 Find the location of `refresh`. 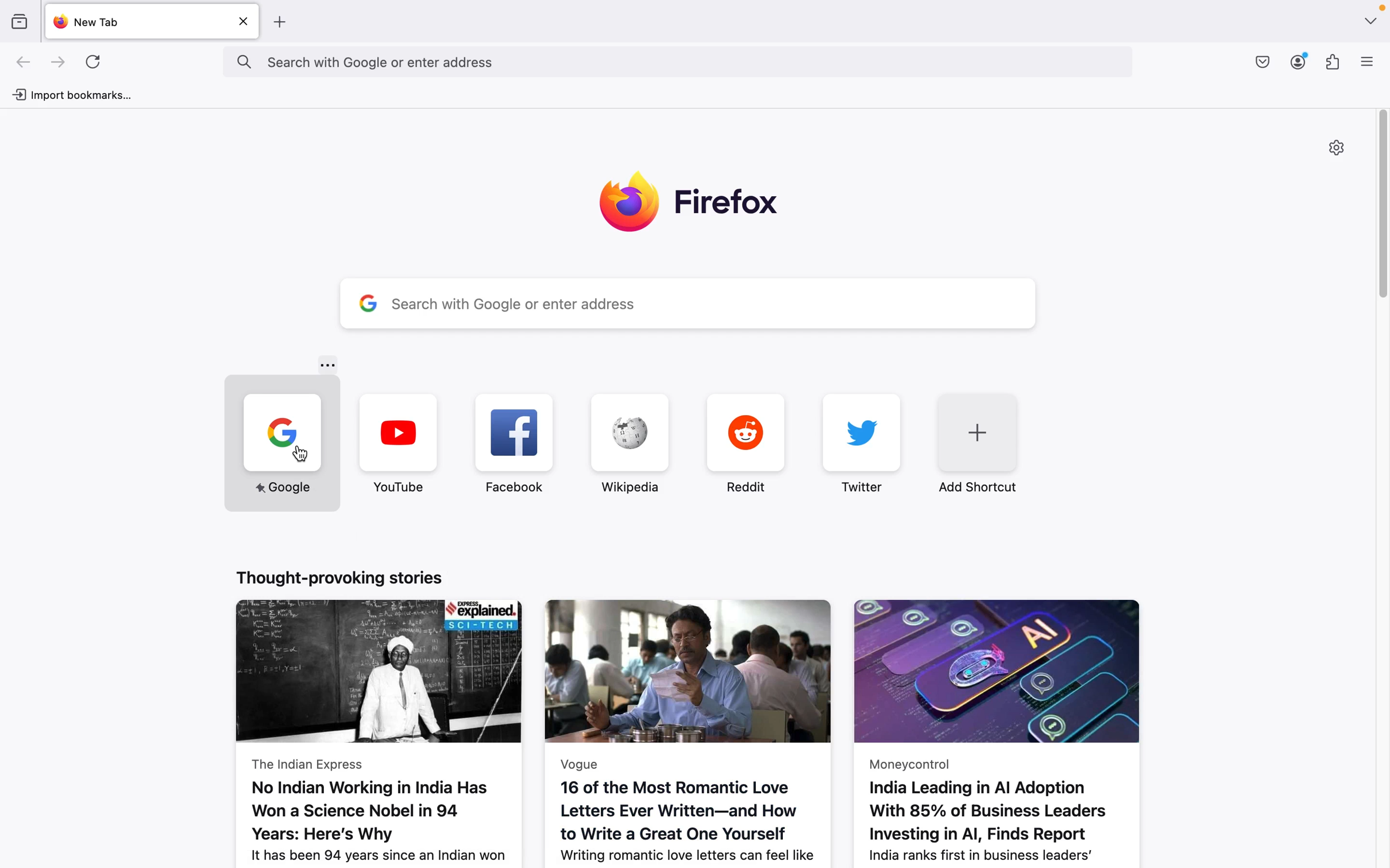

refresh is located at coordinates (99, 64).